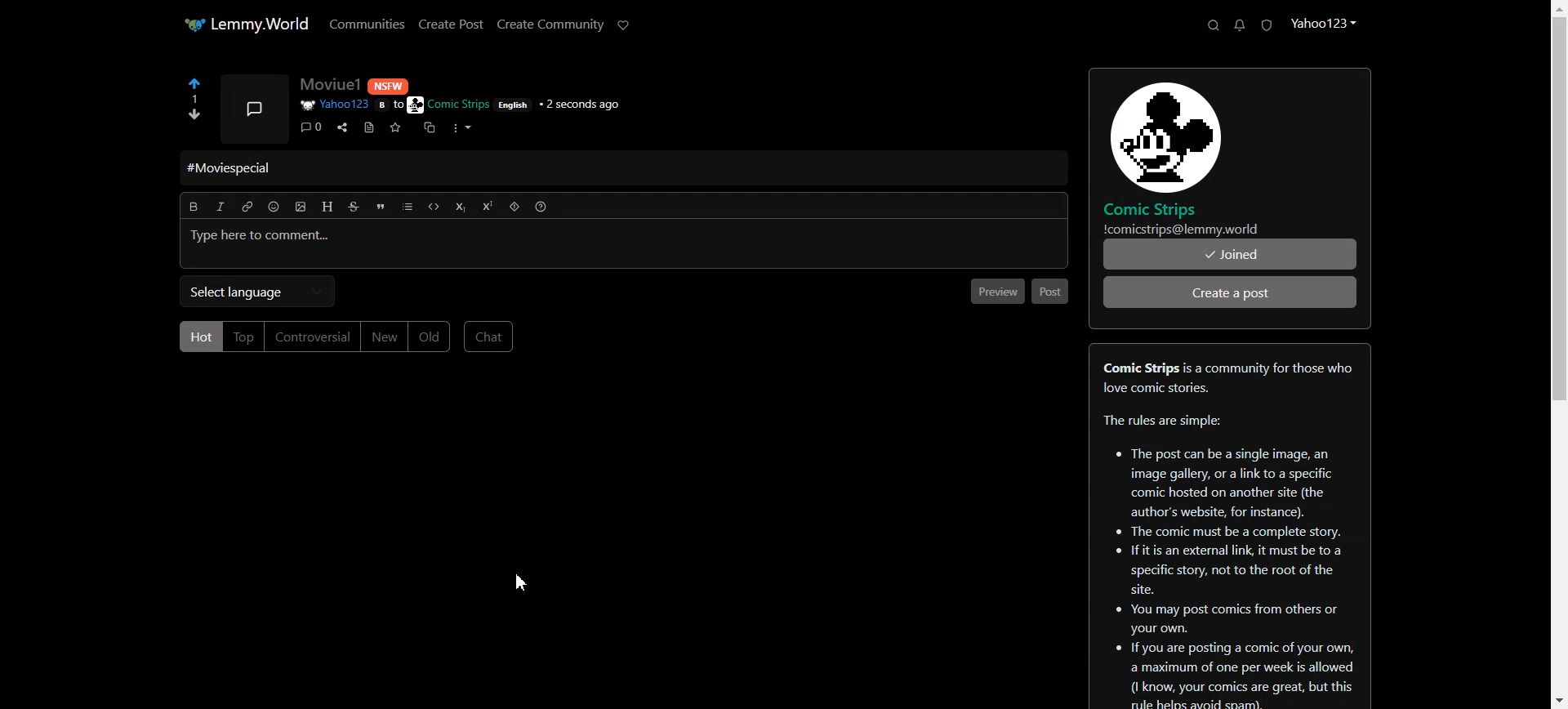 This screenshot has width=1568, height=709. I want to click on Cursor, so click(521, 583).